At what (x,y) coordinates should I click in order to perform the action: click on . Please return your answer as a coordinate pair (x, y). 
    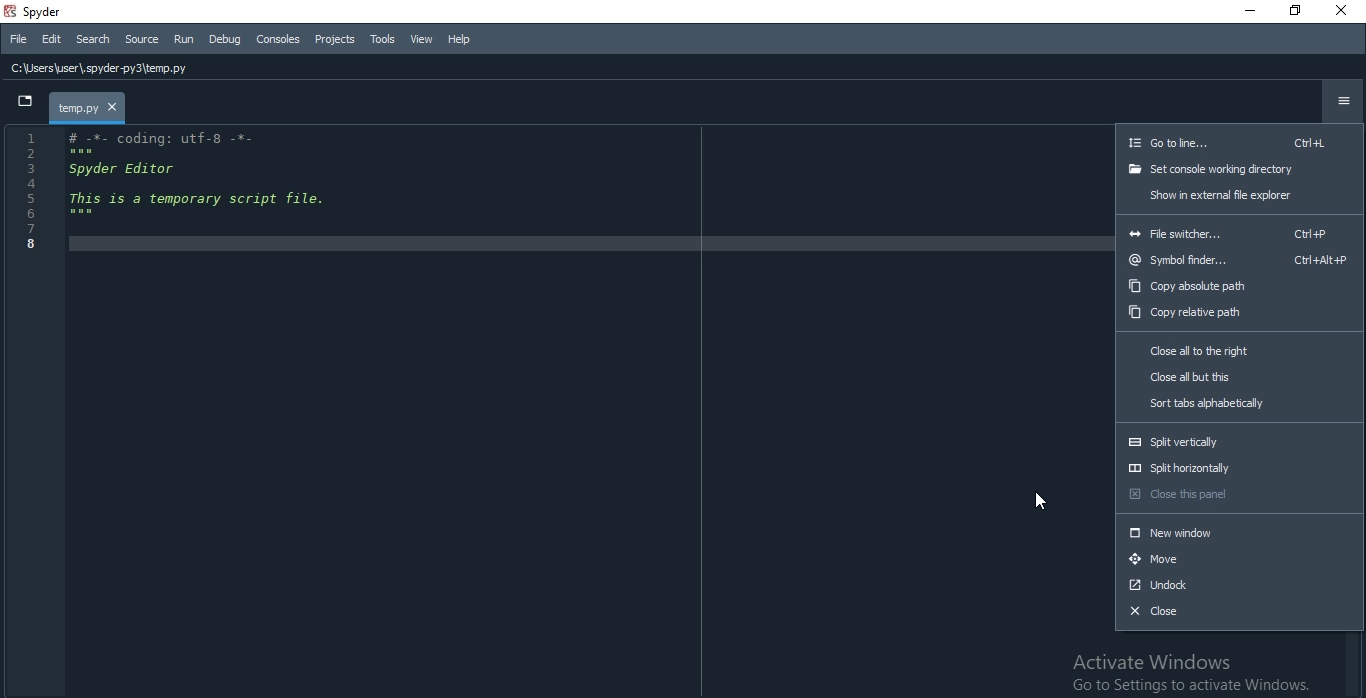
    Looking at the image, I should click on (1240, 140).